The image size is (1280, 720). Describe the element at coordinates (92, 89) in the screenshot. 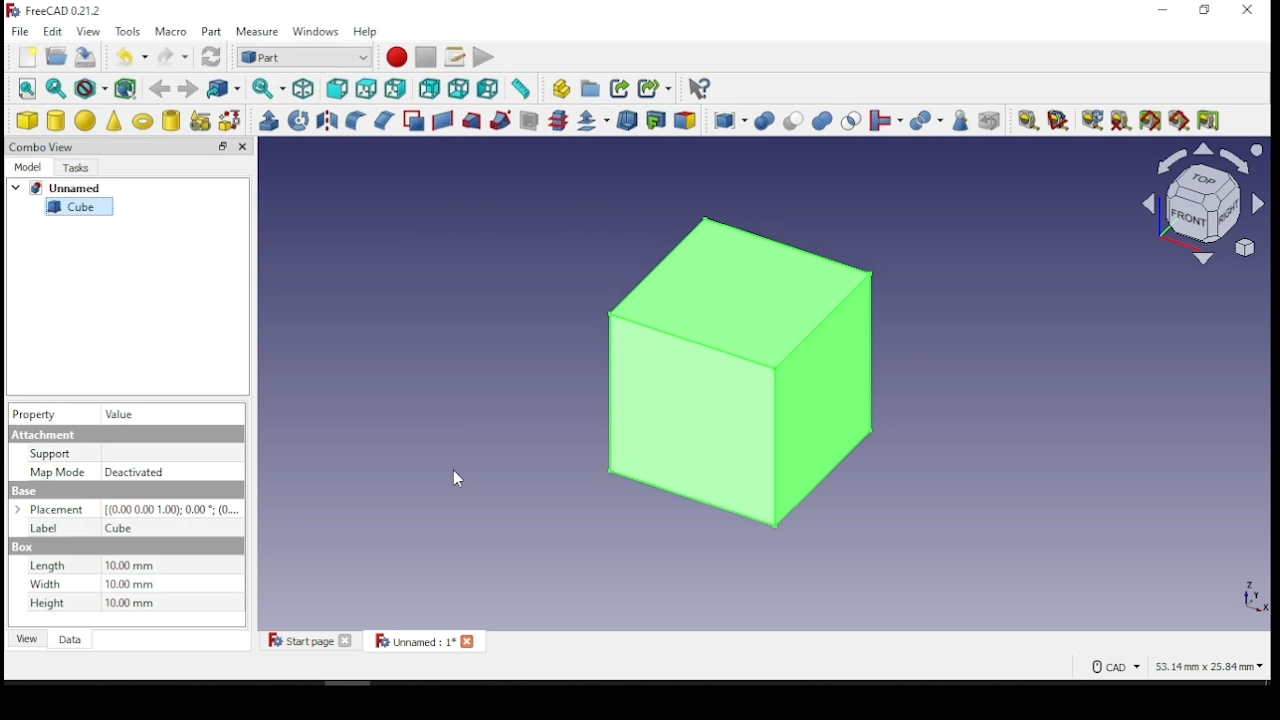

I see `draw style` at that location.